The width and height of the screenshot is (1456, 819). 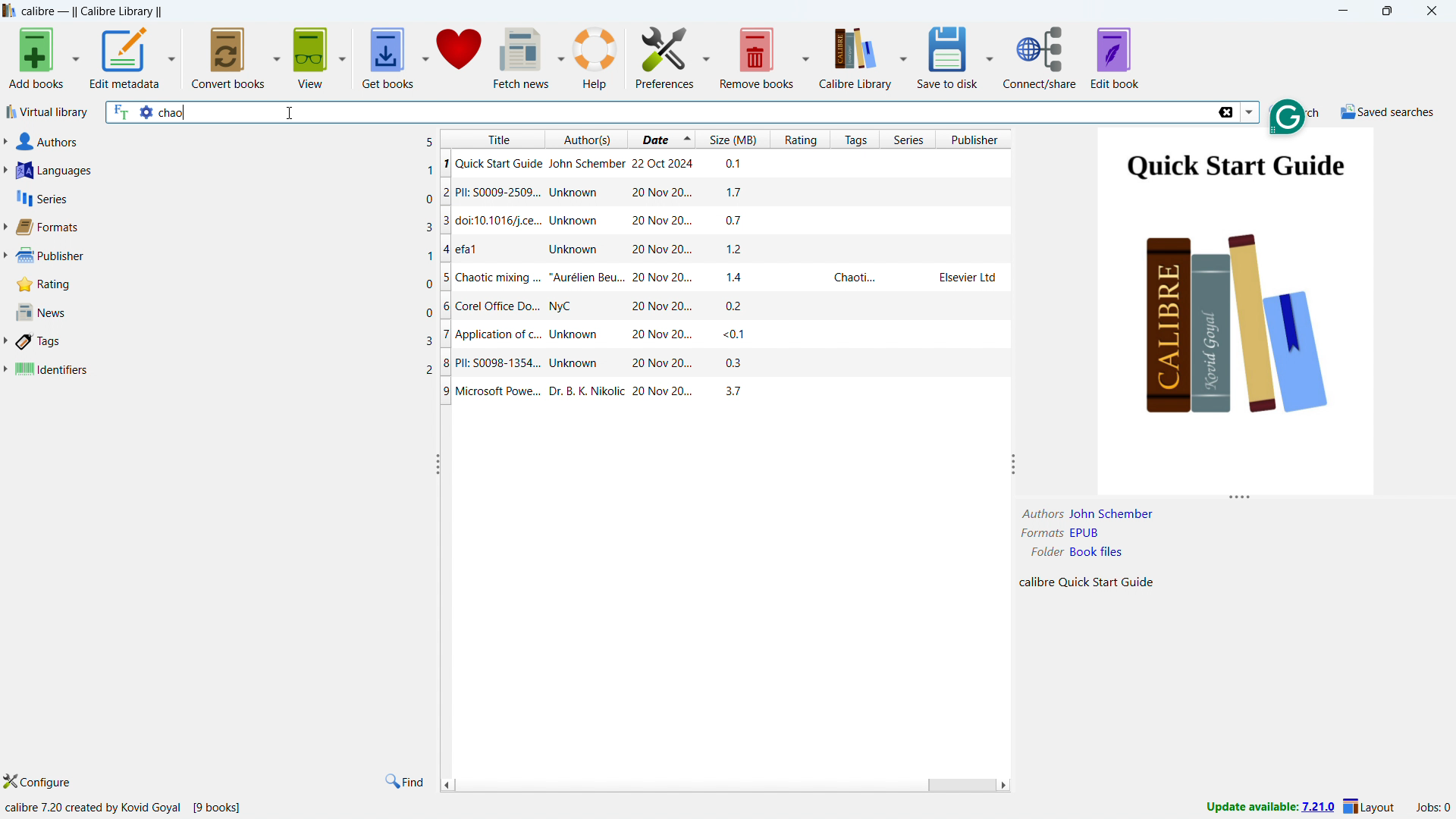 I want to click on sort by authors, so click(x=588, y=139).